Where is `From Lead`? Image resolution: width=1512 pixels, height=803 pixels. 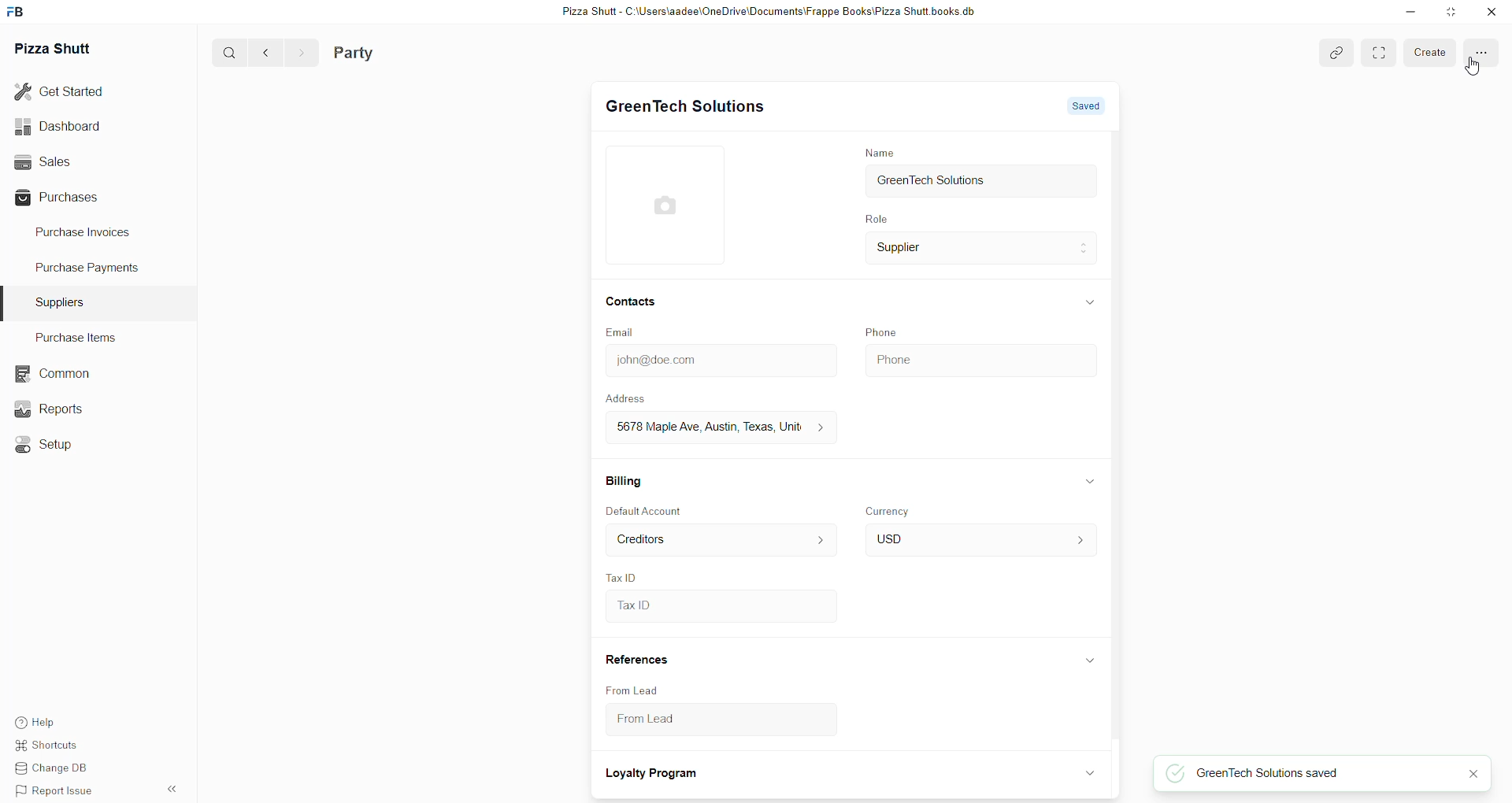
From Lead is located at coordinates (633, 690).